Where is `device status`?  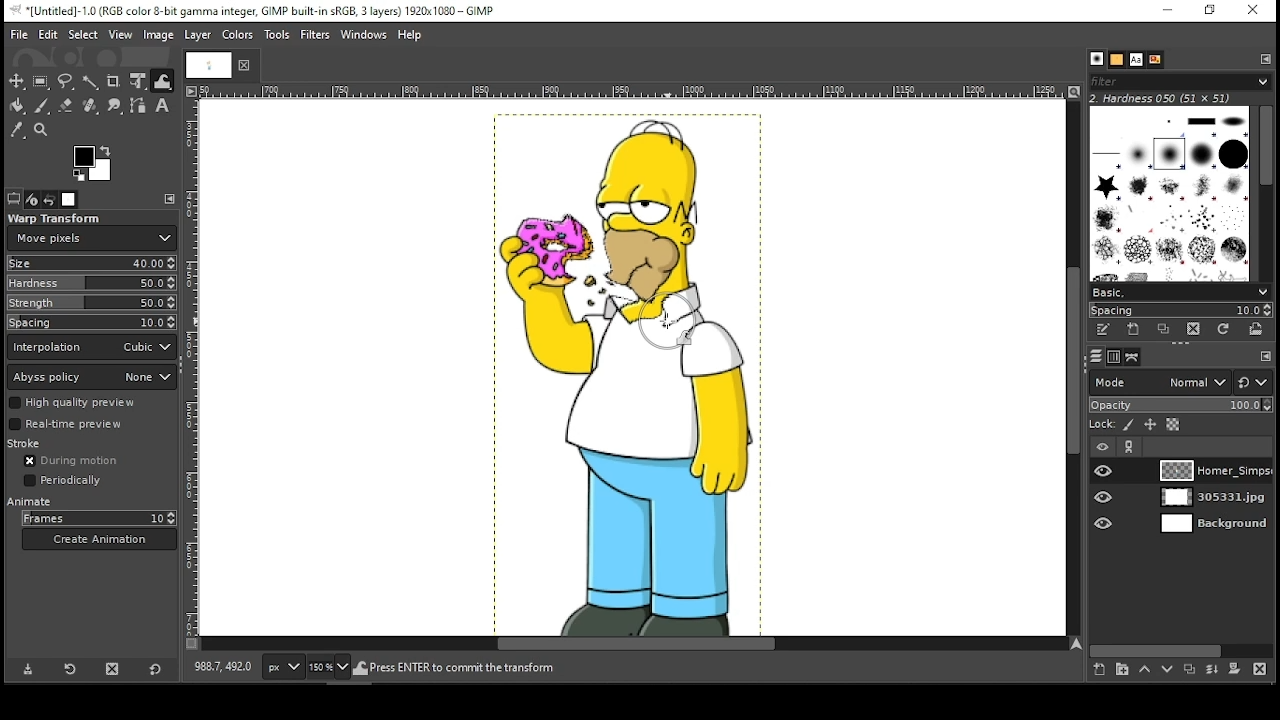 device status is located at coordinates (33, 200).